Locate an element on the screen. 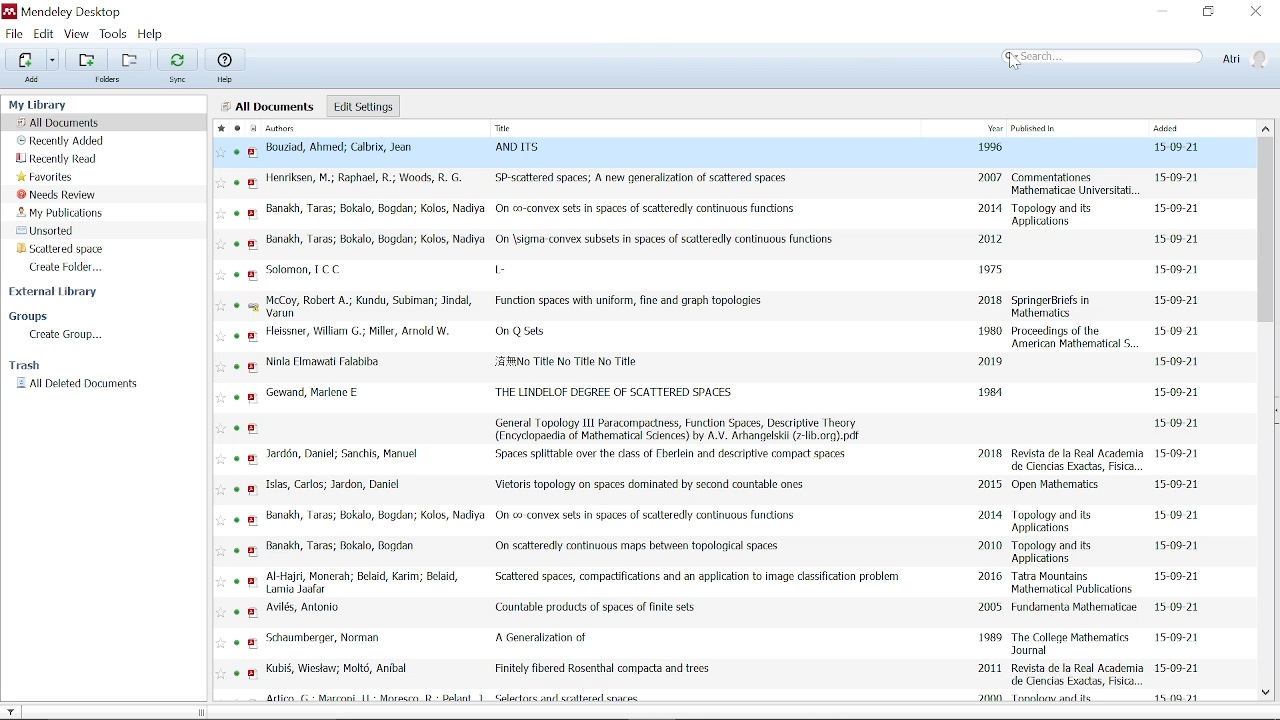 This screenshot has width=1280, height=720. ‘Banakh, Taras; Bokalo, Bogdan; Kolos, Nadiya On co-convex sets in spaces of scatteredly continuous functions. 2014 Topology and its applications 15-09-21 is located at coordinates (728, 213).